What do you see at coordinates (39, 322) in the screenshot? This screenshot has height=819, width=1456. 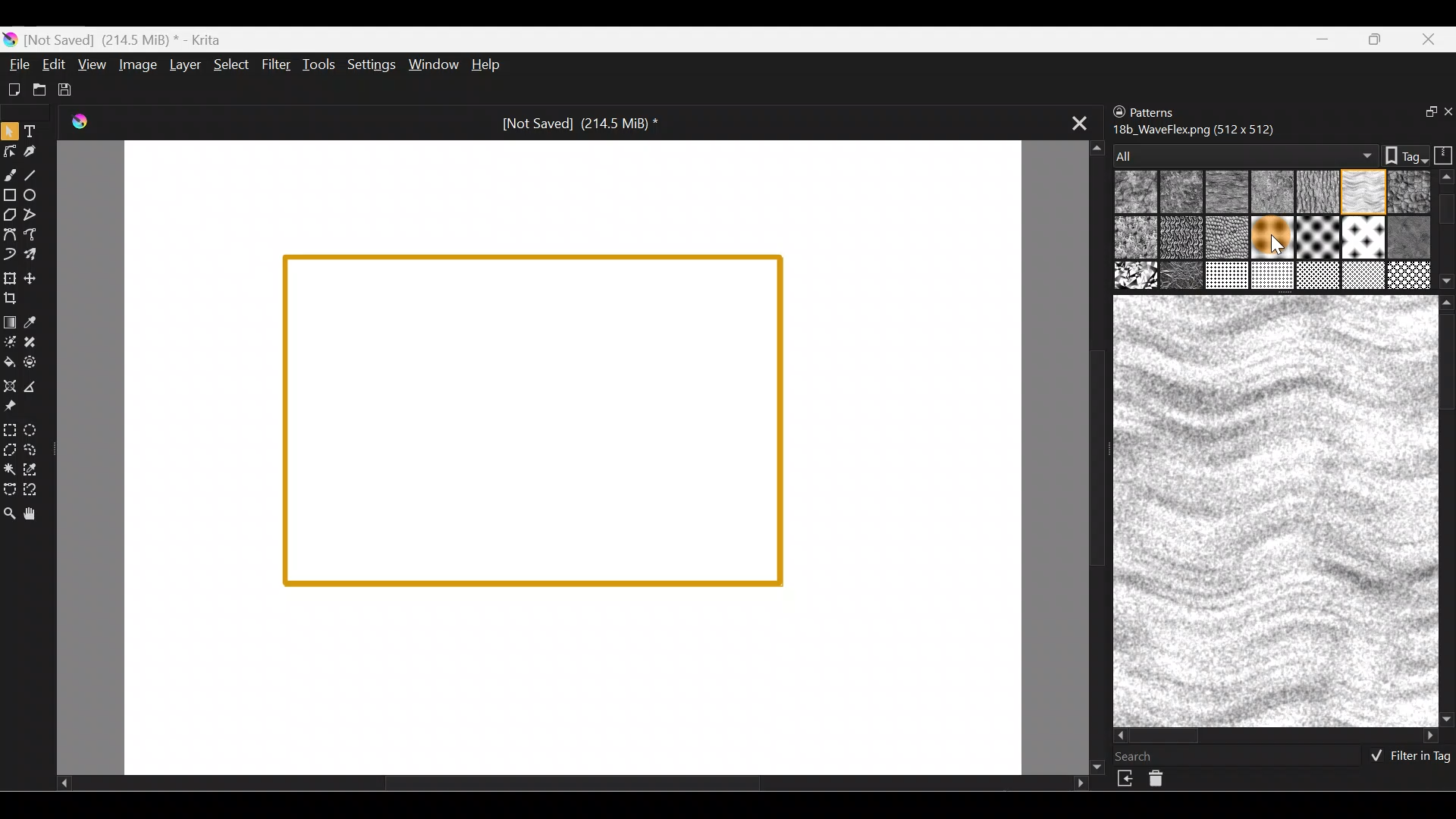 I see `Sample a colour` at bounding box center [39, 322].